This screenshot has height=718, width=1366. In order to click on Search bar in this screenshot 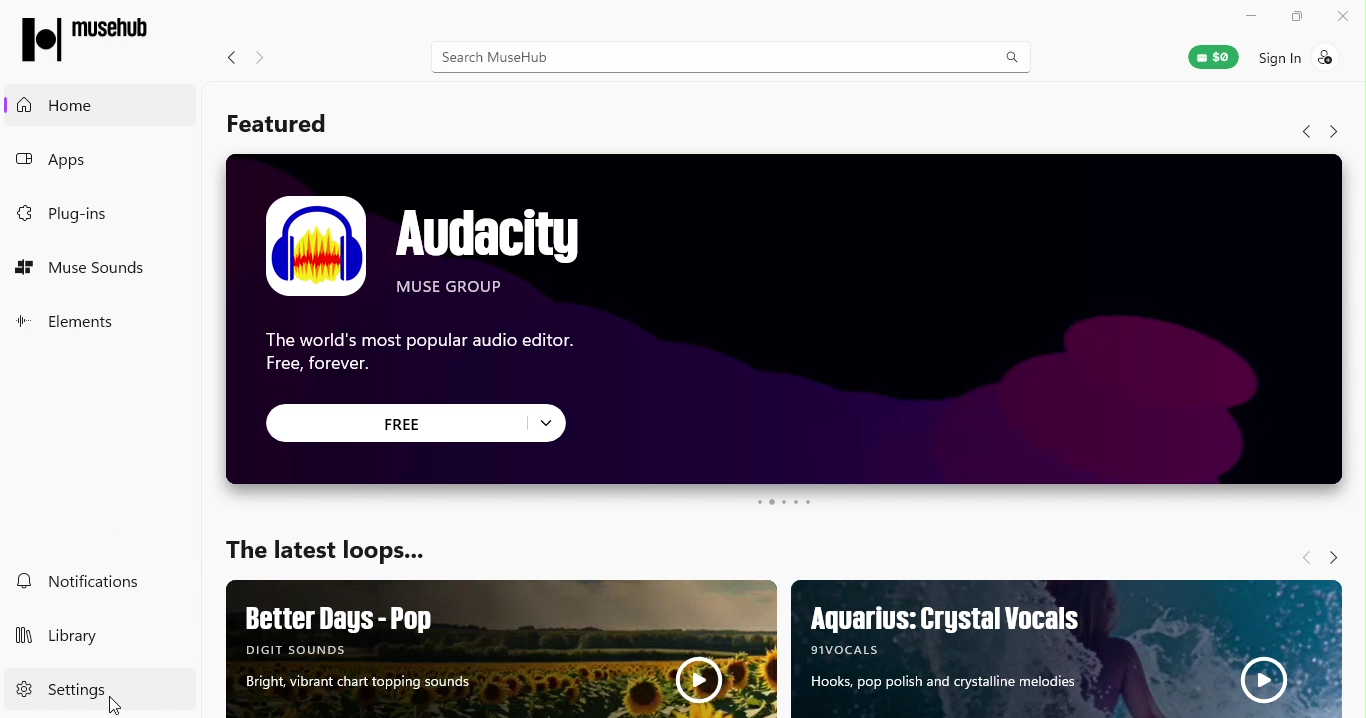, I will do `click(733, 55)`.